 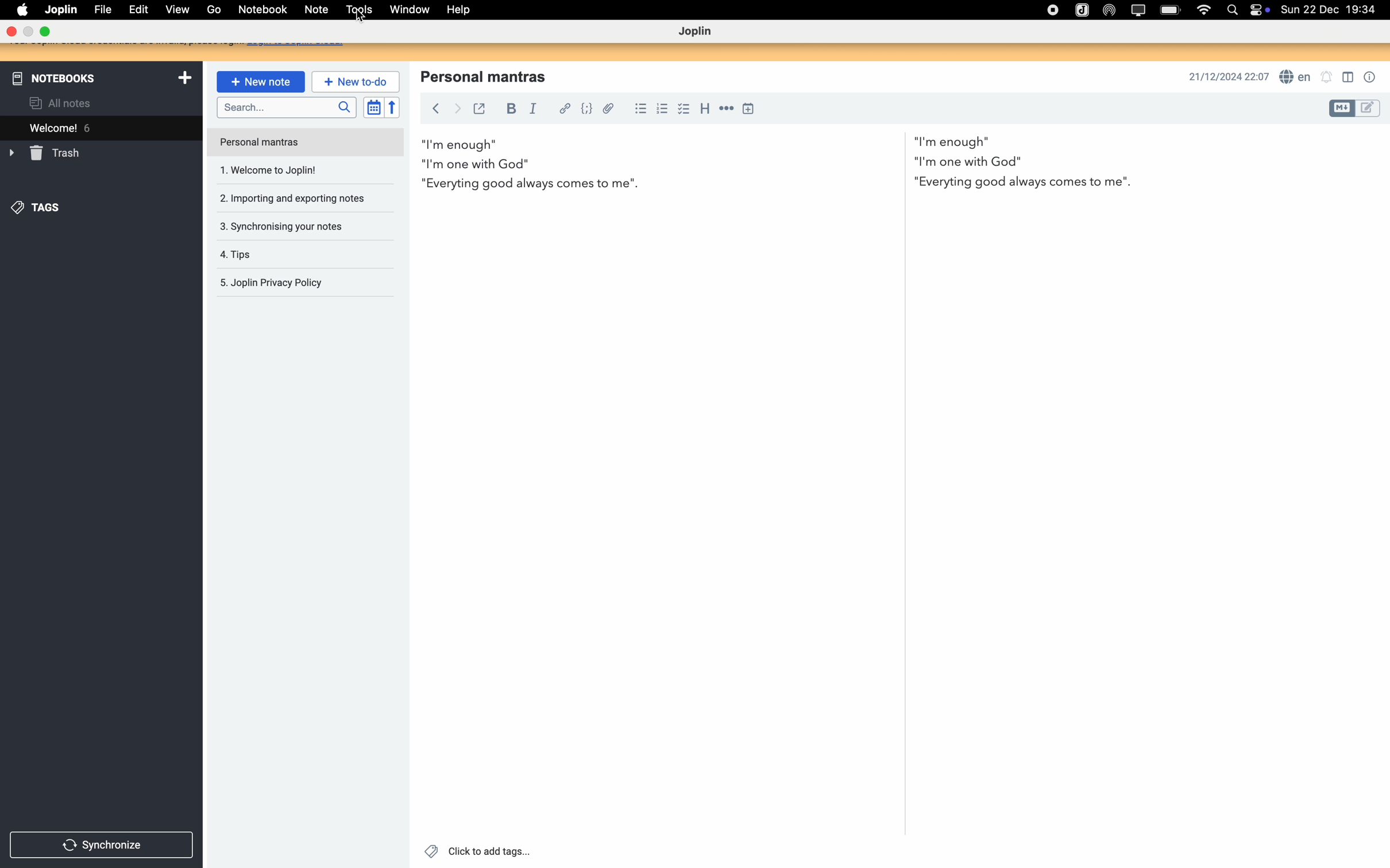 I want to click on Joplin, so click(x=697, y=32).